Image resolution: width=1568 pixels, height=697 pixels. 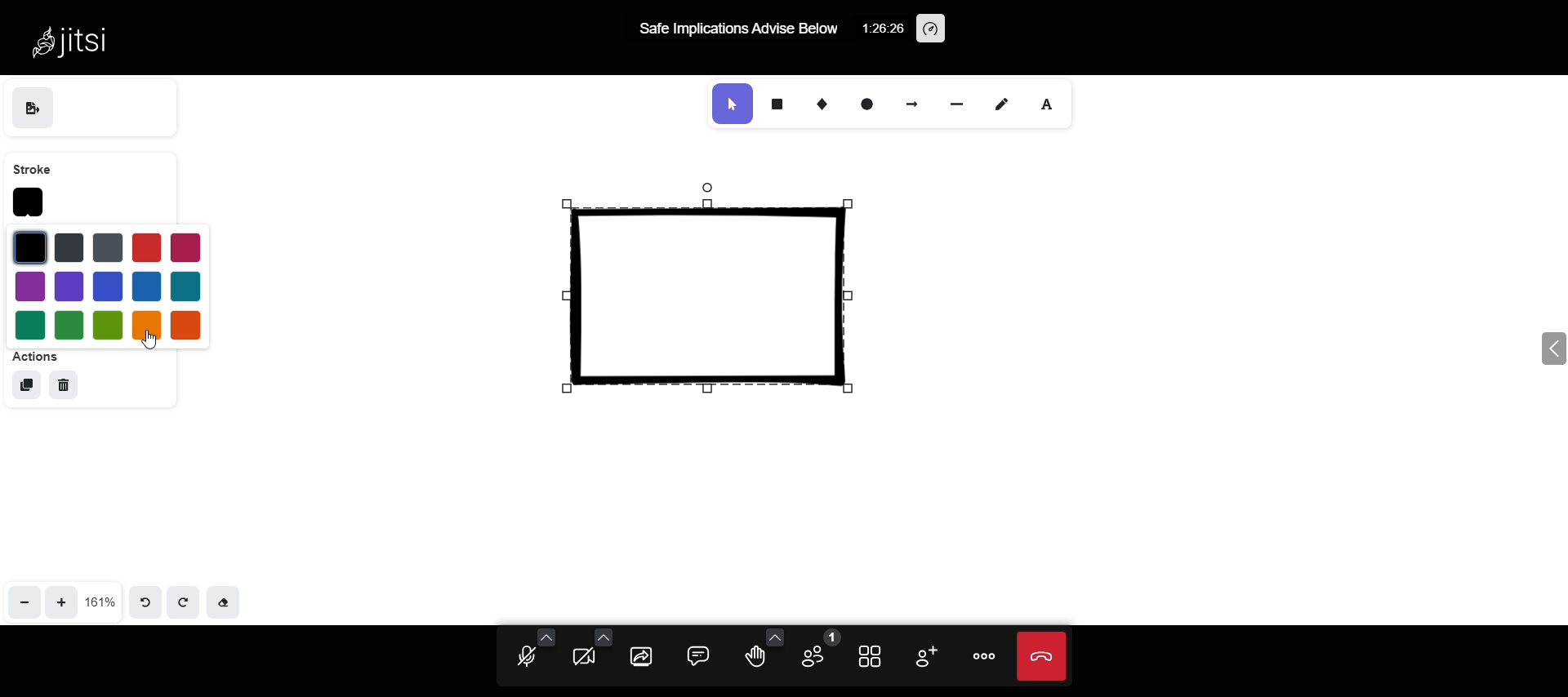 I want to click on purple 2, so click(x=69, y=288).